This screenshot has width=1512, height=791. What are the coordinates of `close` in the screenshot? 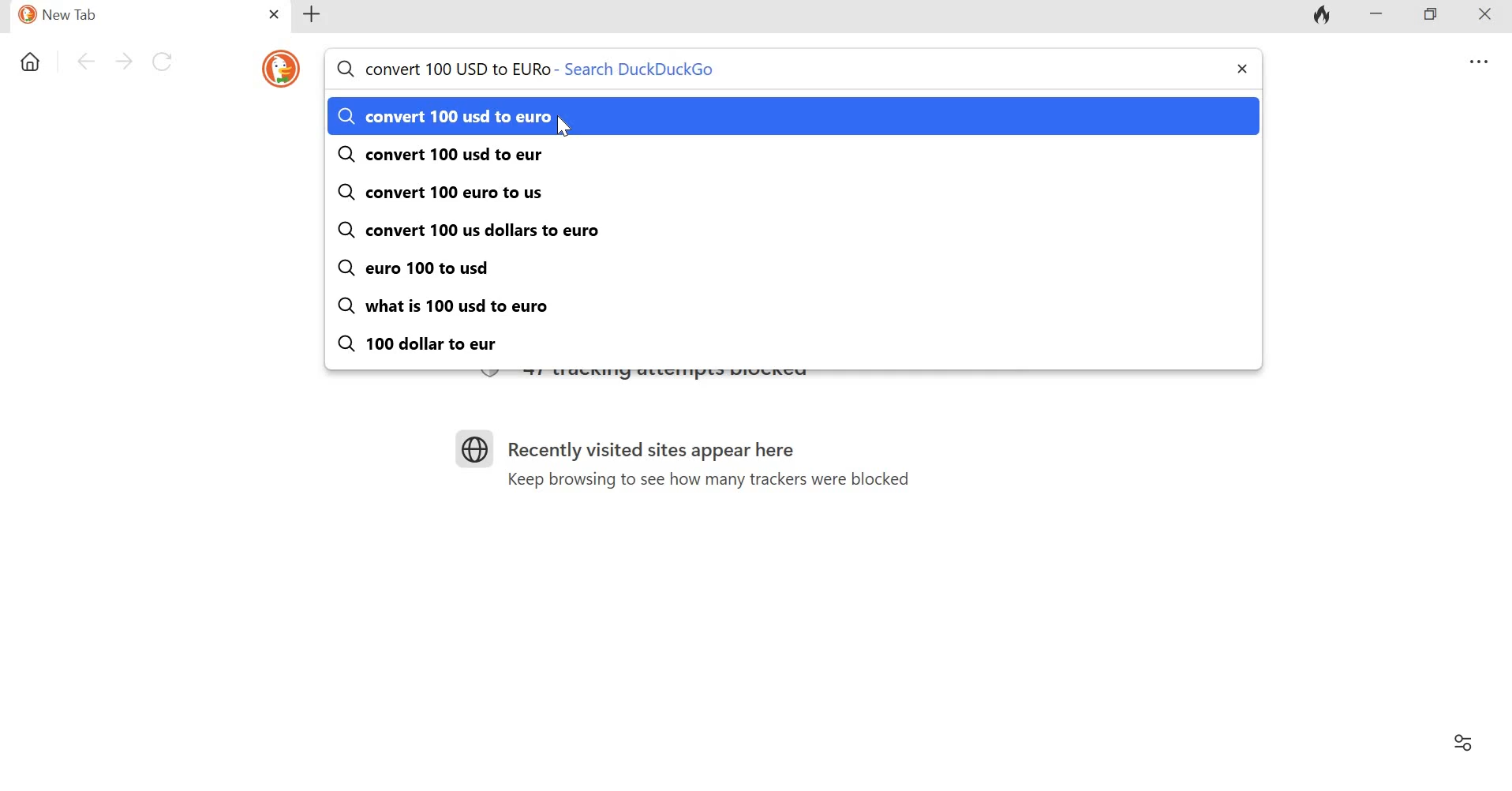 It's located at (1240, 70).